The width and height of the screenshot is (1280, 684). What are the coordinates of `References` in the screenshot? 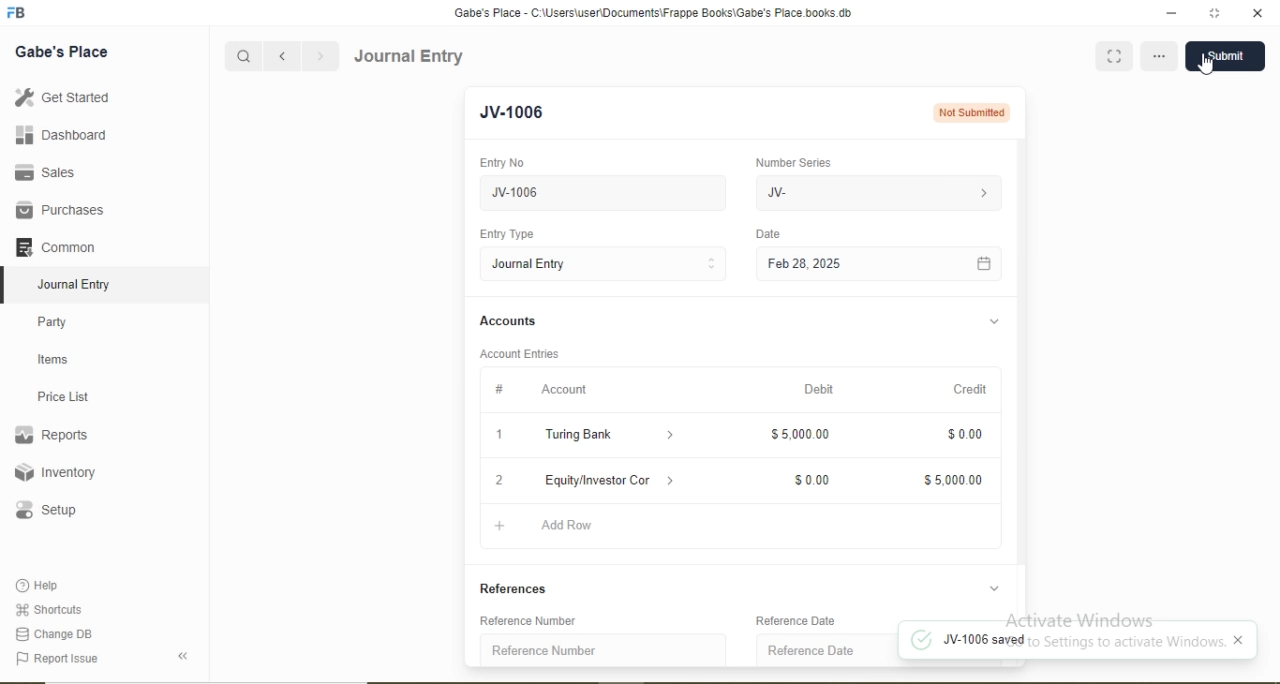 It's located at (516, 589).